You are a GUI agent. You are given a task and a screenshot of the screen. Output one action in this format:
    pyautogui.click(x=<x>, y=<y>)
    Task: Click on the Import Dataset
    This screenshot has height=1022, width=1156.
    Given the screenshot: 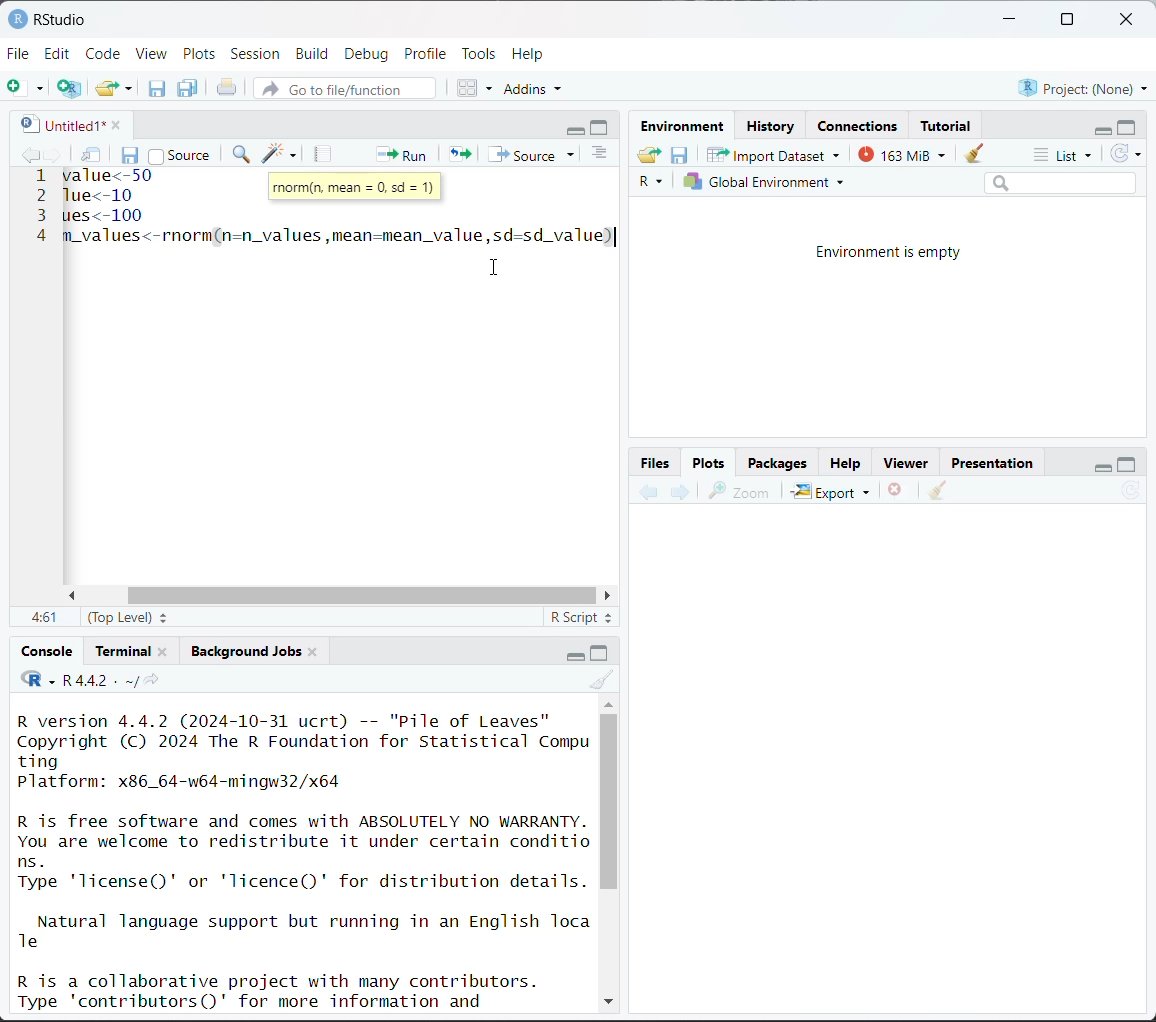 What is the action you would take?
    pyautogui.click(x=774, y=154)
    